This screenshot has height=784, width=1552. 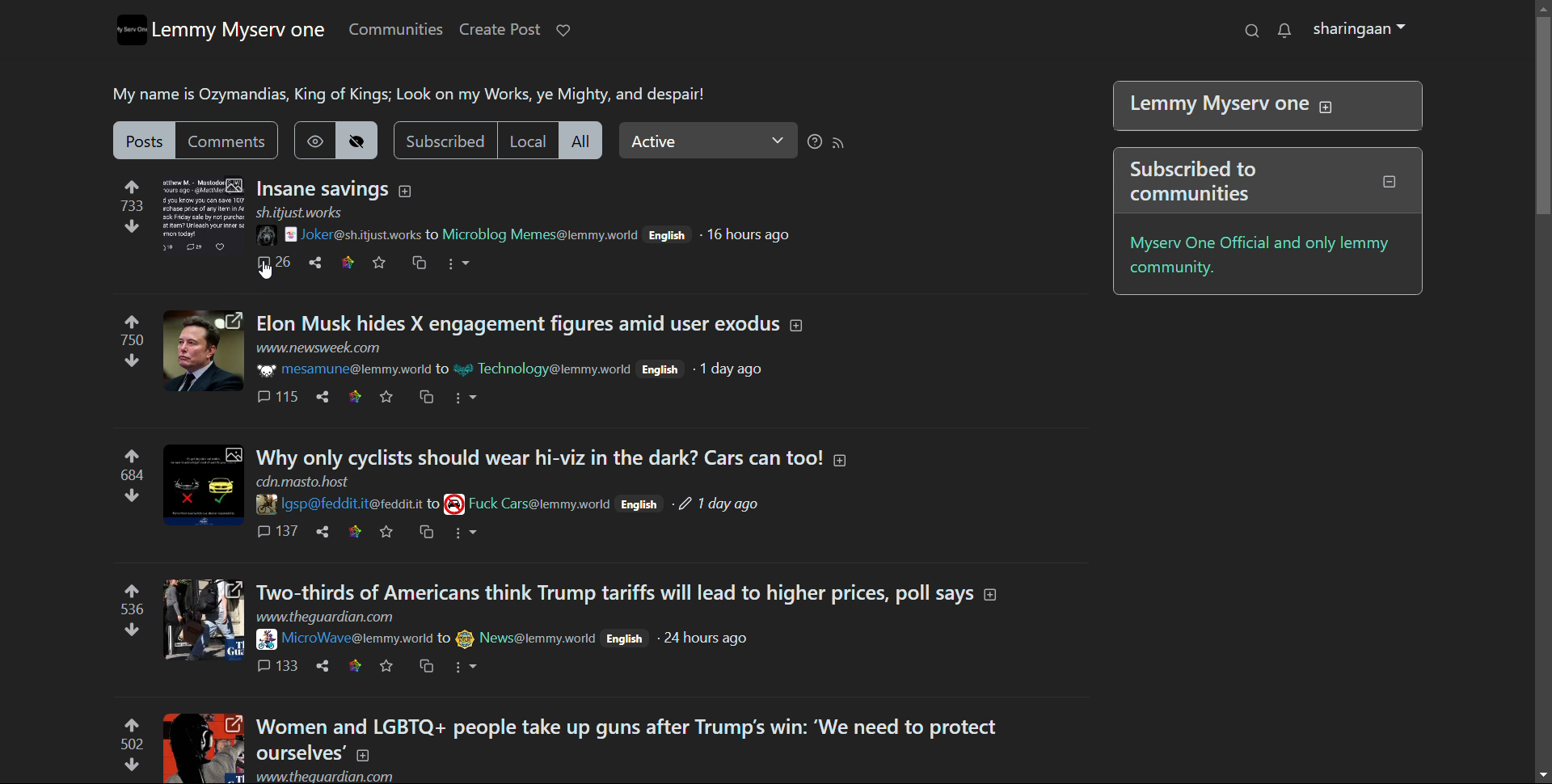 I want to click on time of post, so click(x=731, y=369).